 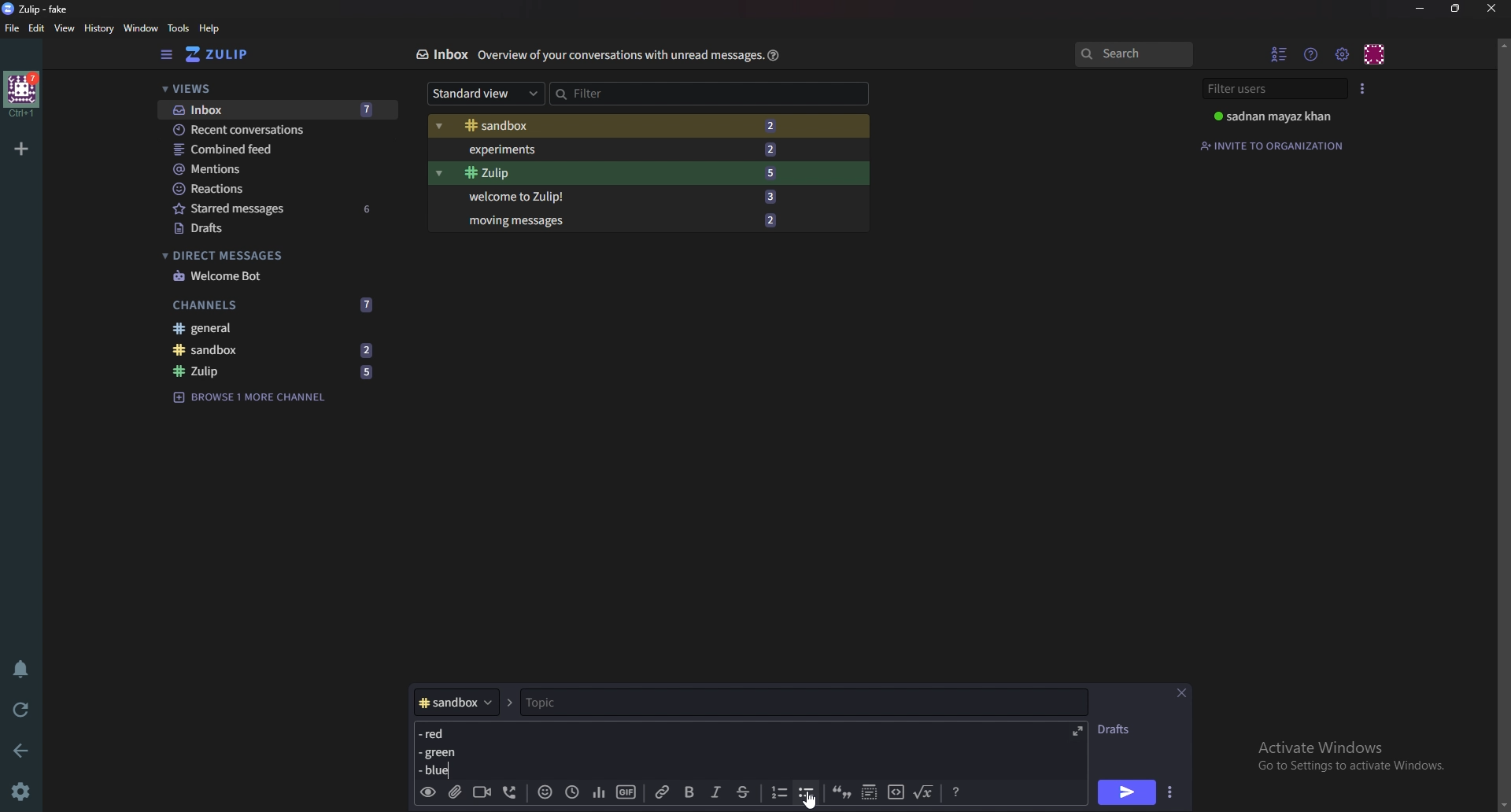 I want to click on Reload, so click(x=21, y=710).